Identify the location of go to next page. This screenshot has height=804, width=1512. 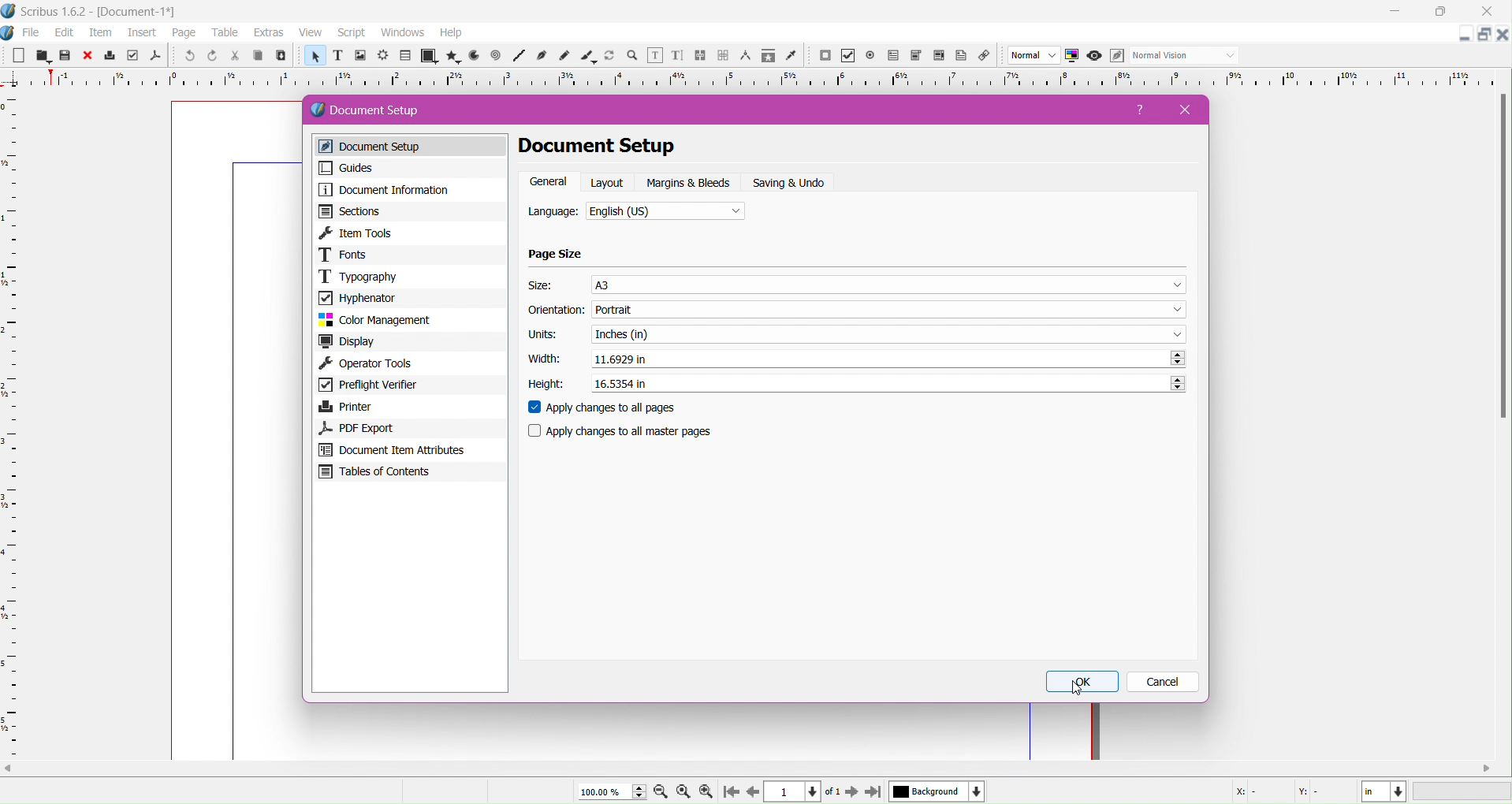
(851, 793).